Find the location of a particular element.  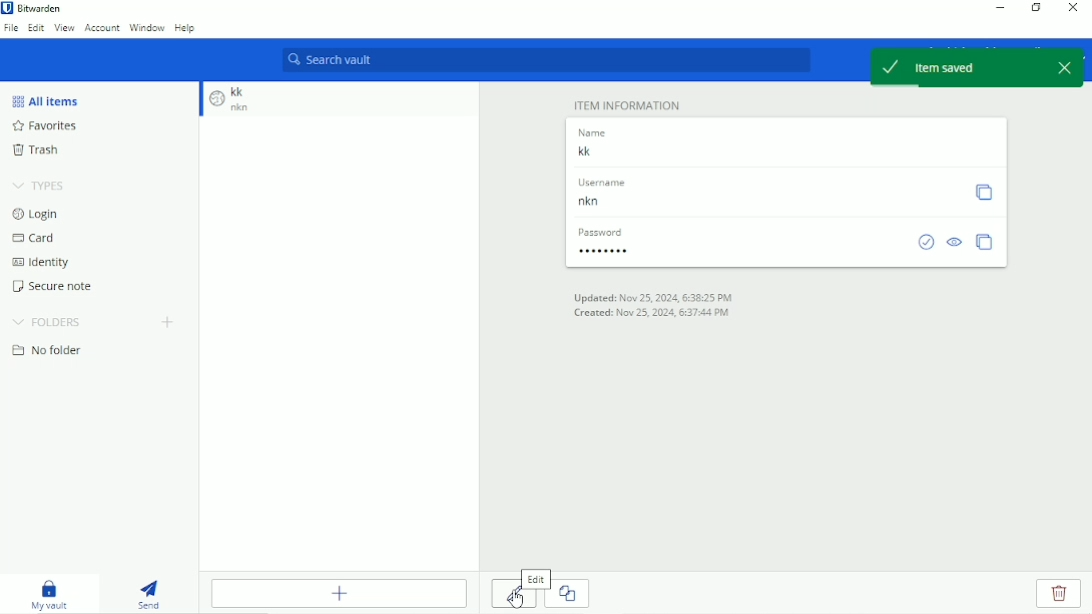

Copy is located at coordinates (986, 242).